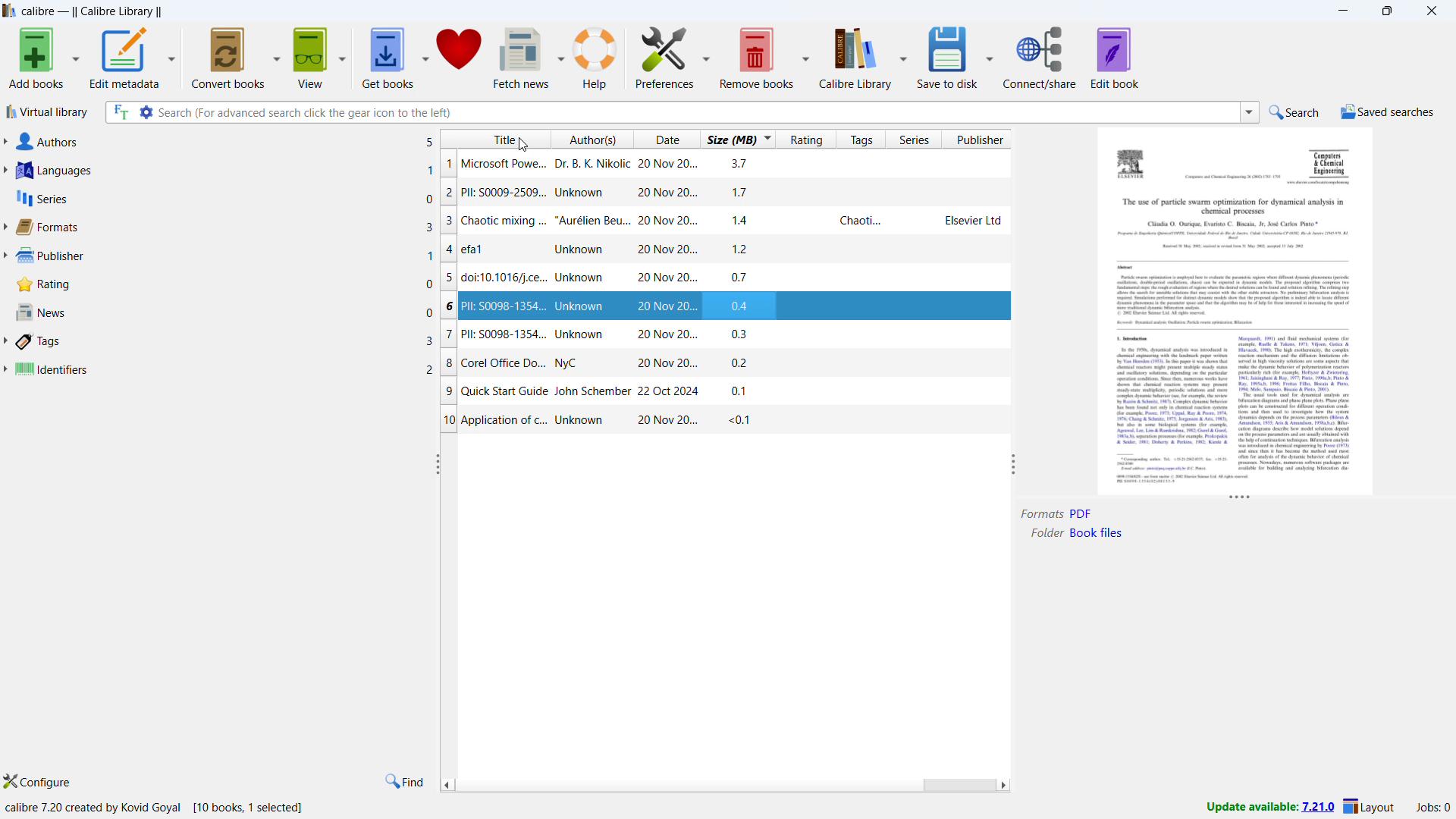 The width and height of the screenshot is (1456, 819). I want to click on 6, so click(449, 306).